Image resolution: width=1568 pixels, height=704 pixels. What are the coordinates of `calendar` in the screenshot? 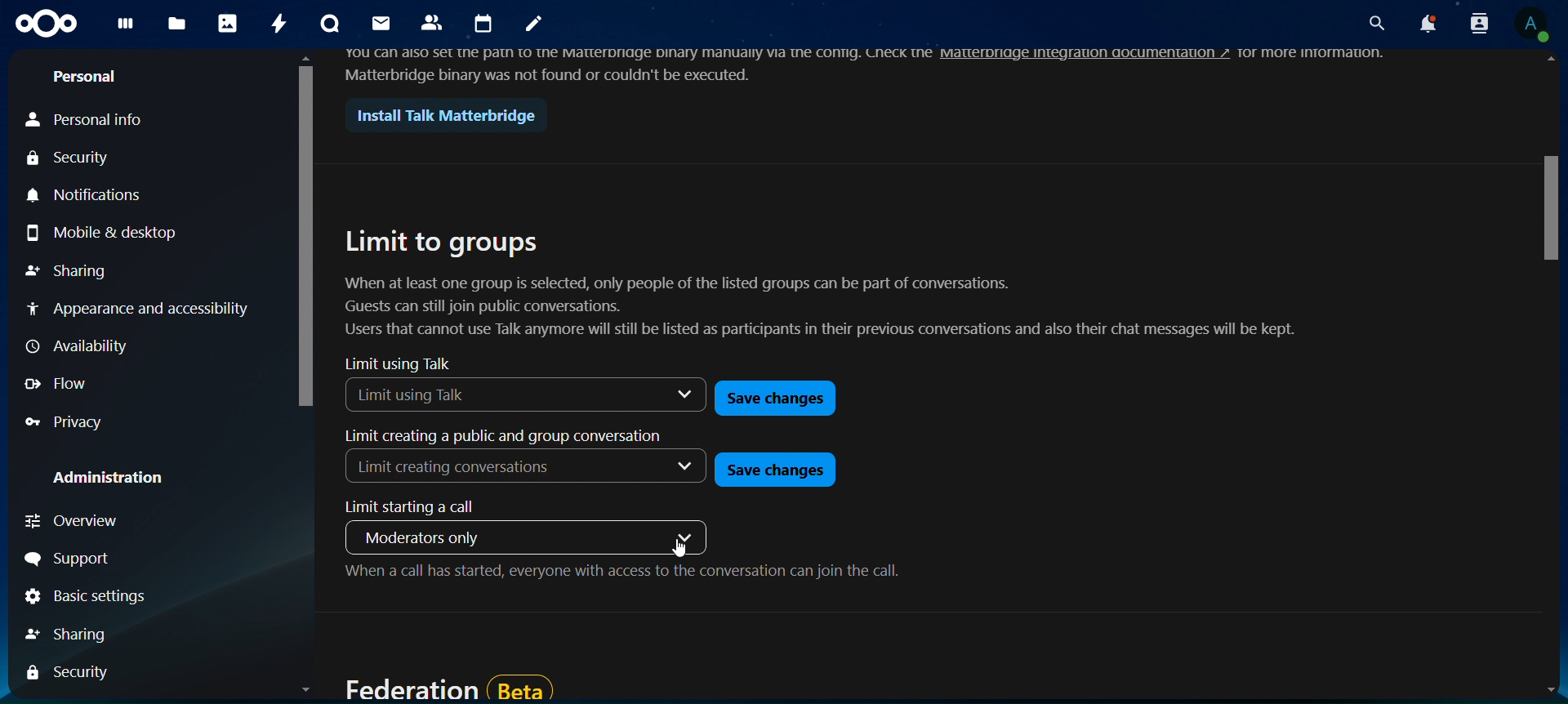 It's located at (486, 25).